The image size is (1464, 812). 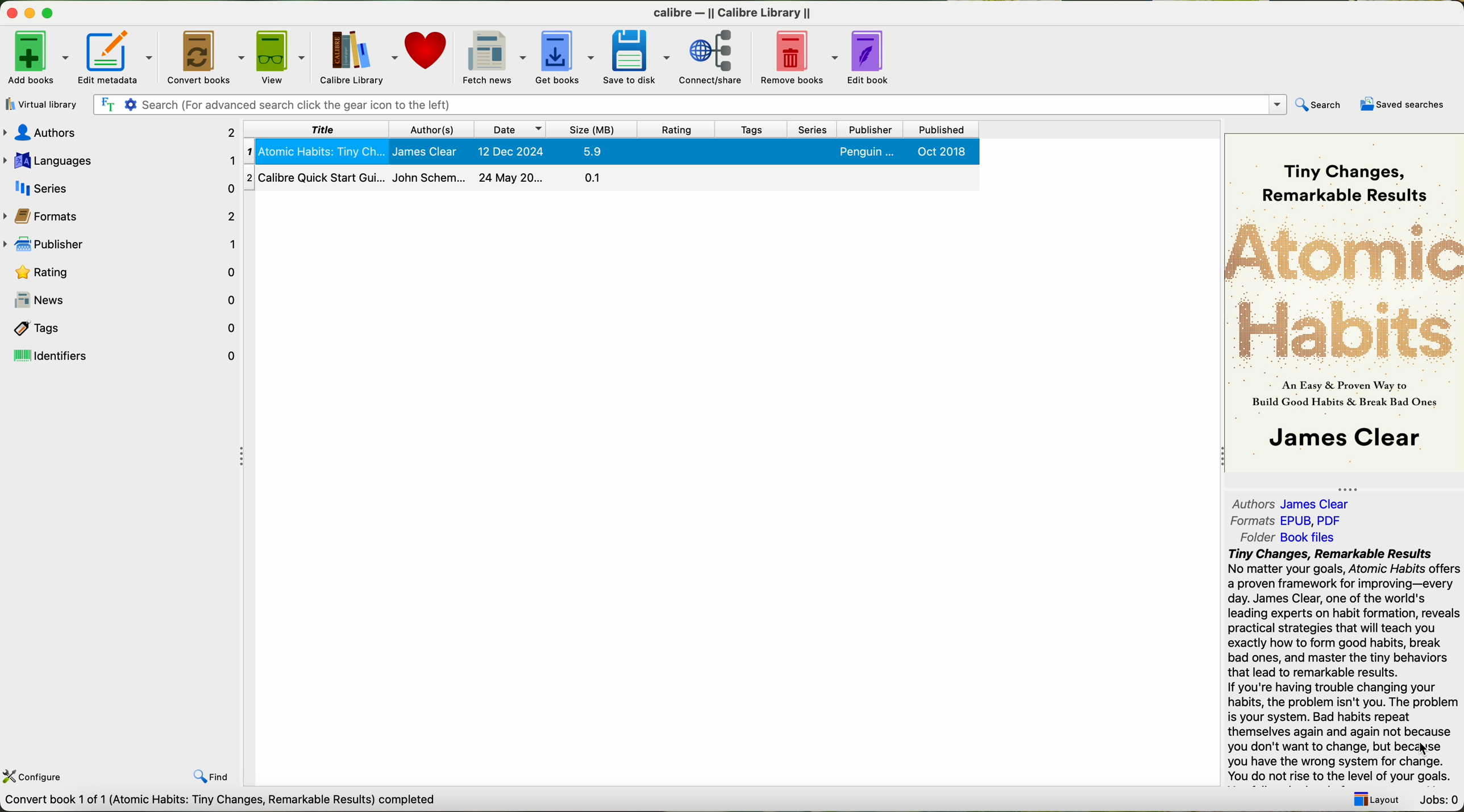 I want to click on donate, so click(x=426, y=48).